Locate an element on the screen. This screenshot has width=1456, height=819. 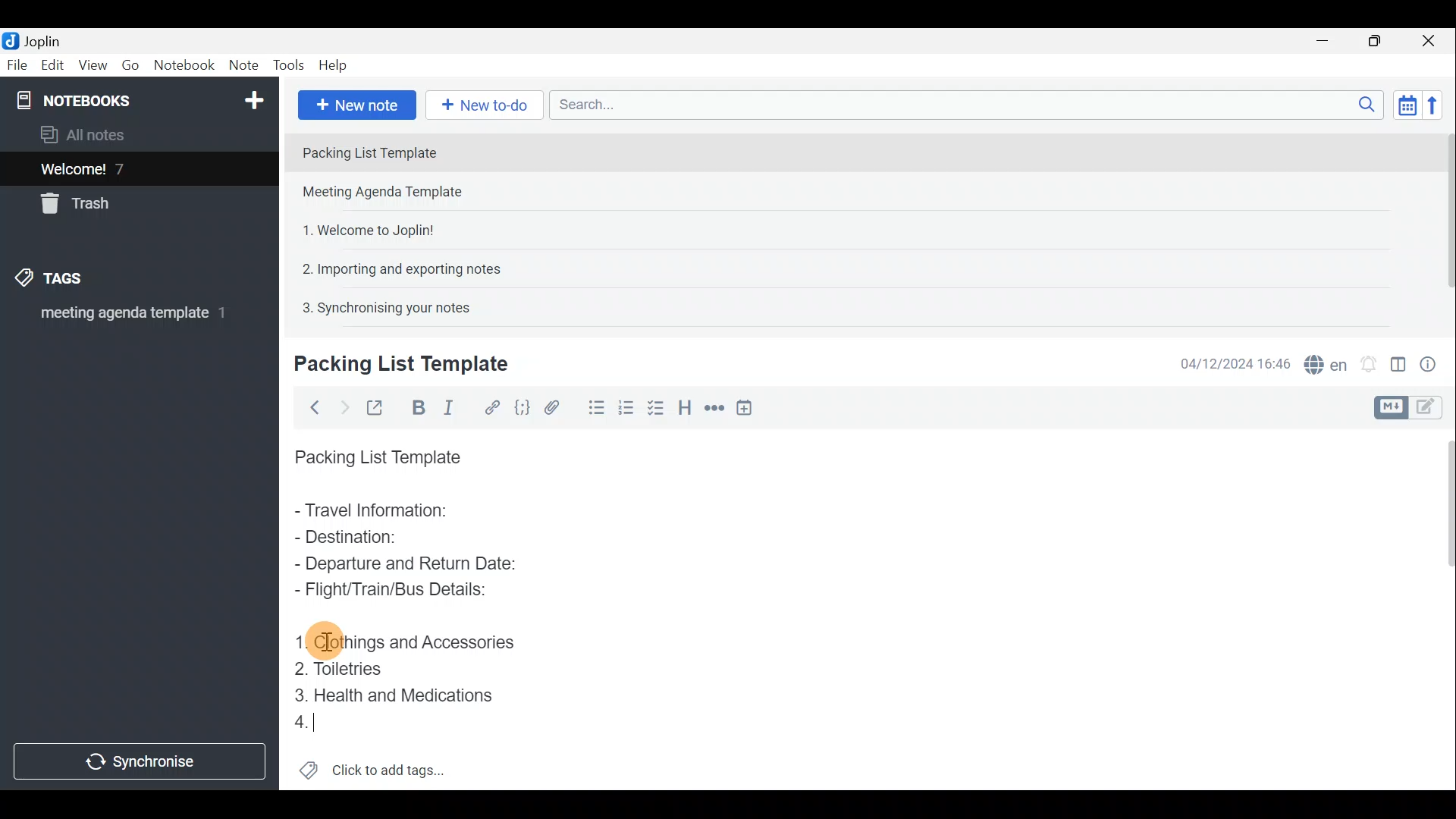
Toggle editors is located at coordinates (1393, 406).